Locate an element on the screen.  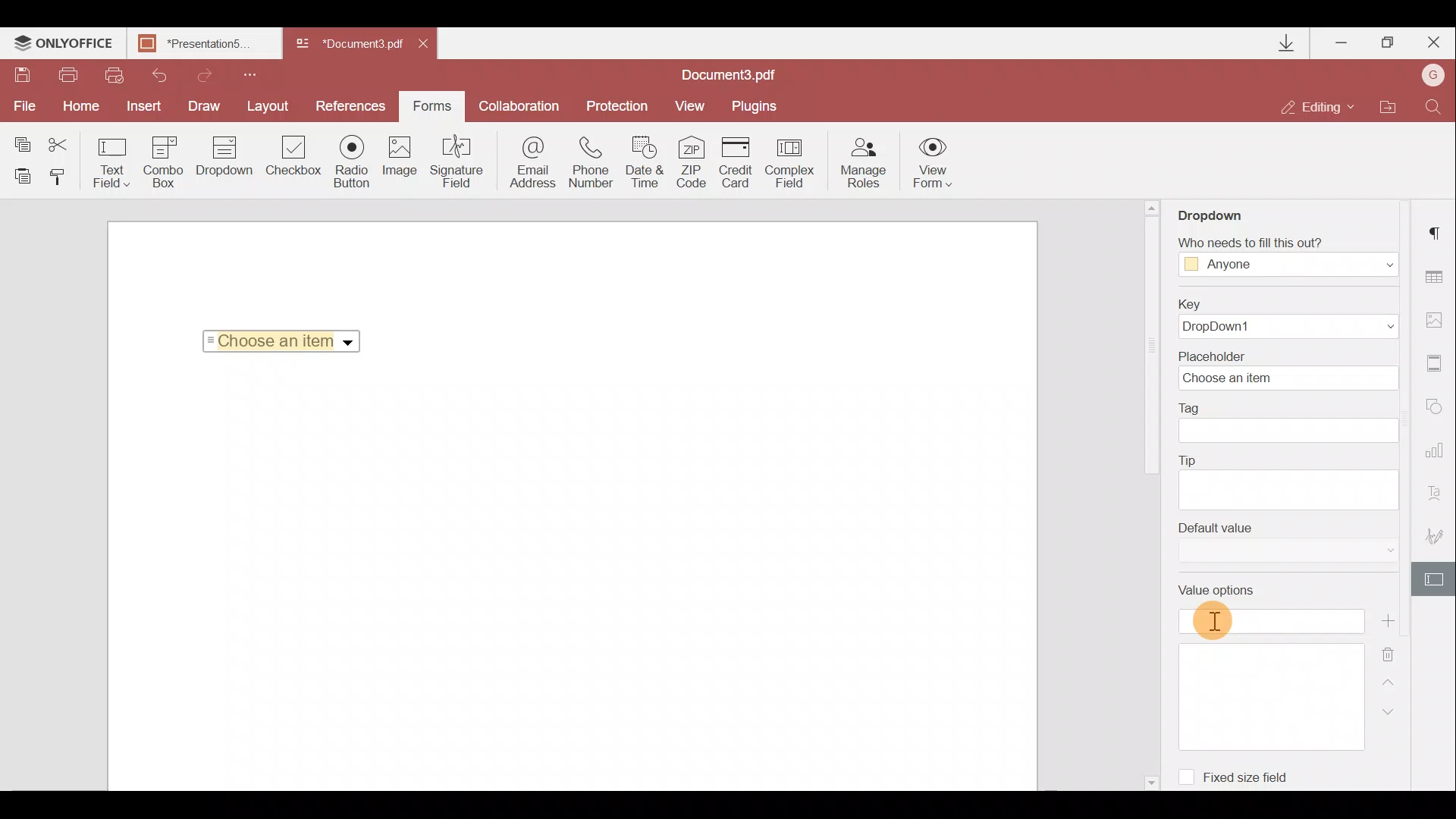
Document3.pdf is located at coordinates (349, 45).